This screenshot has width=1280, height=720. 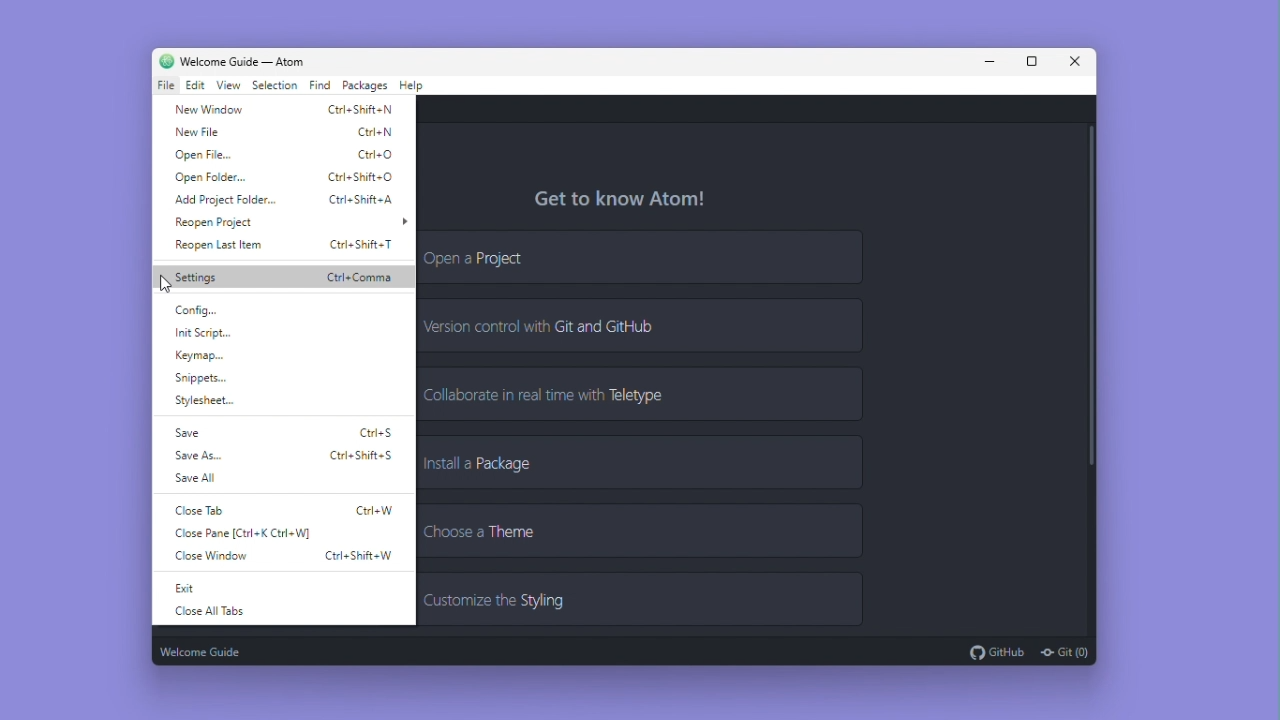 What do you see at coordinates (202, 381) in the screenshot?
I see `snippets` at bounding box center [202, 381].